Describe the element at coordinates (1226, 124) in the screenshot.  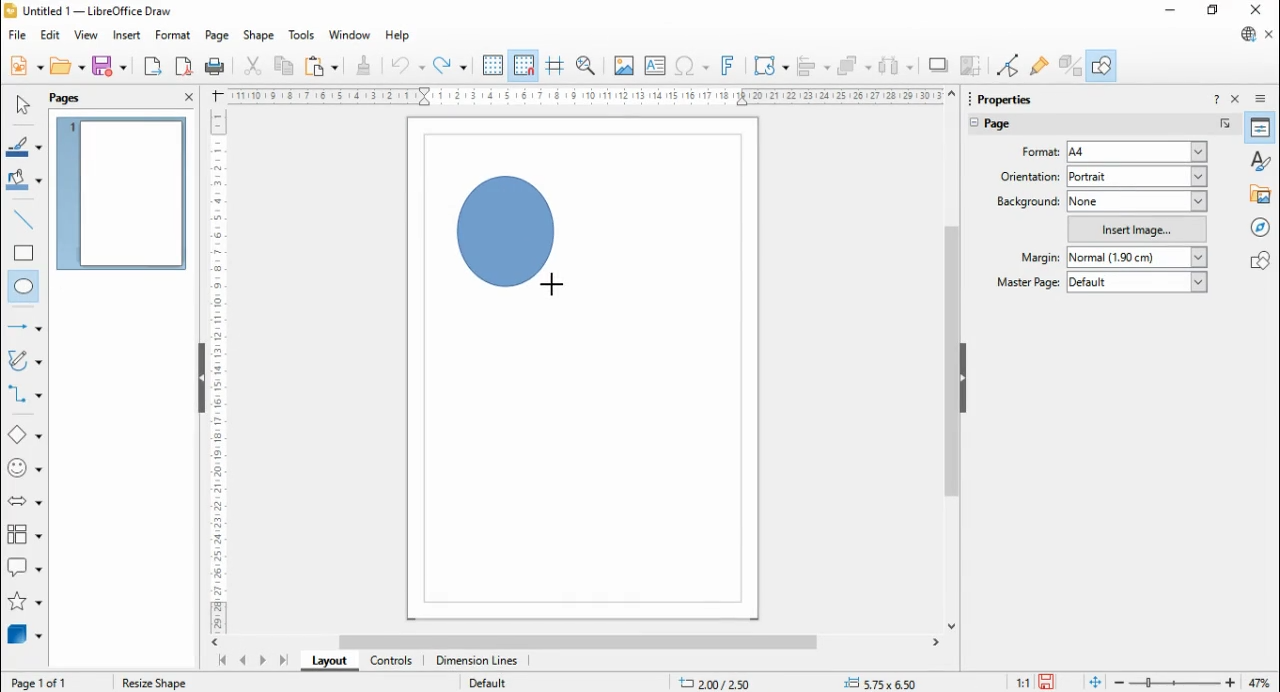
I see `more options` at that location.